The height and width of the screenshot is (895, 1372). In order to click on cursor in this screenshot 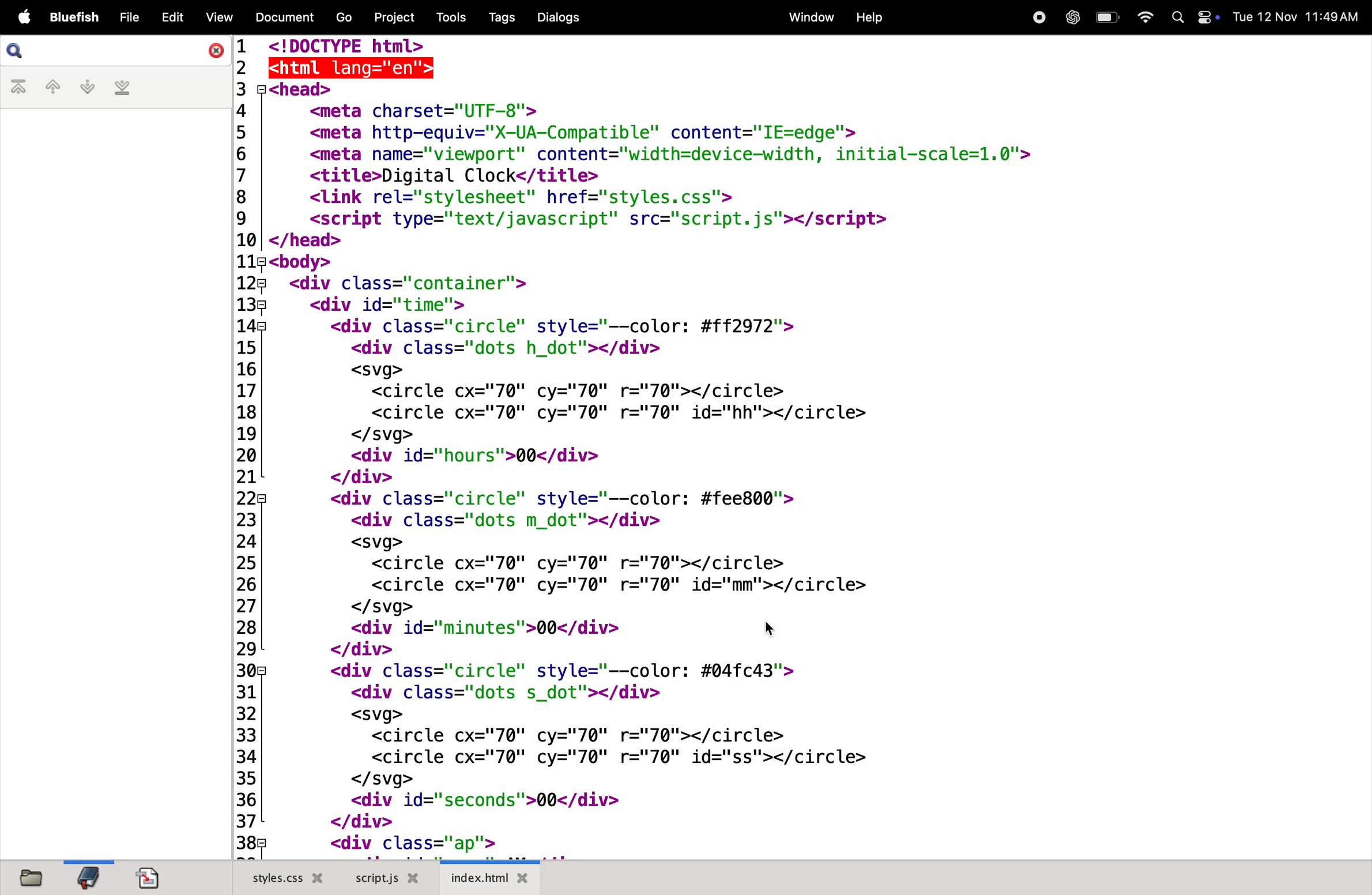, I will do `click(772, 631)`.